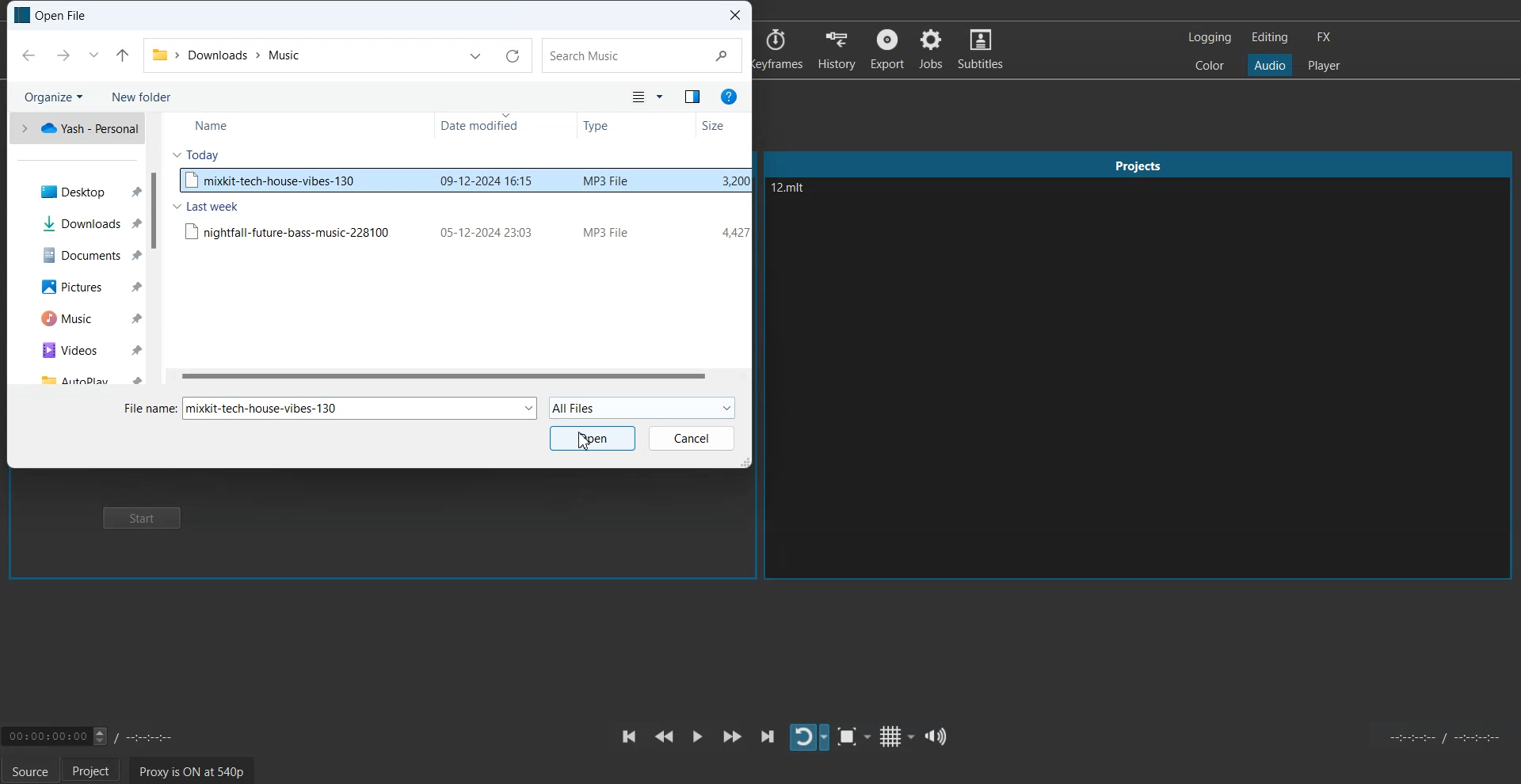 The height and width of the screenshot is (784, 1521). What do you see at coordinates (75, 190) in the screenshot?
I see `Desktop` at bounding box center [75, 190].